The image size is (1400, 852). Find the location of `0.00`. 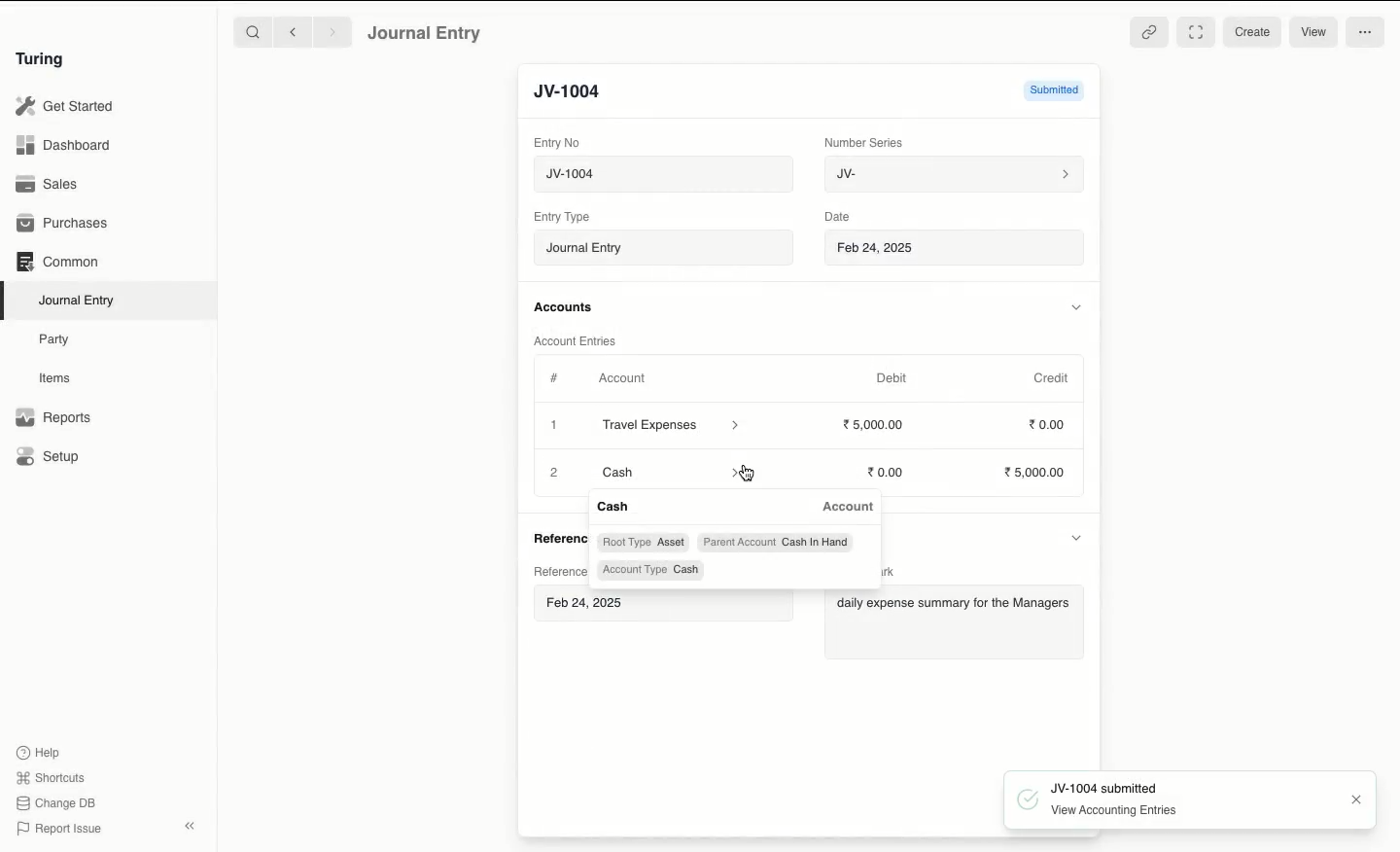

0.00 is located at coordinates (887, 473).